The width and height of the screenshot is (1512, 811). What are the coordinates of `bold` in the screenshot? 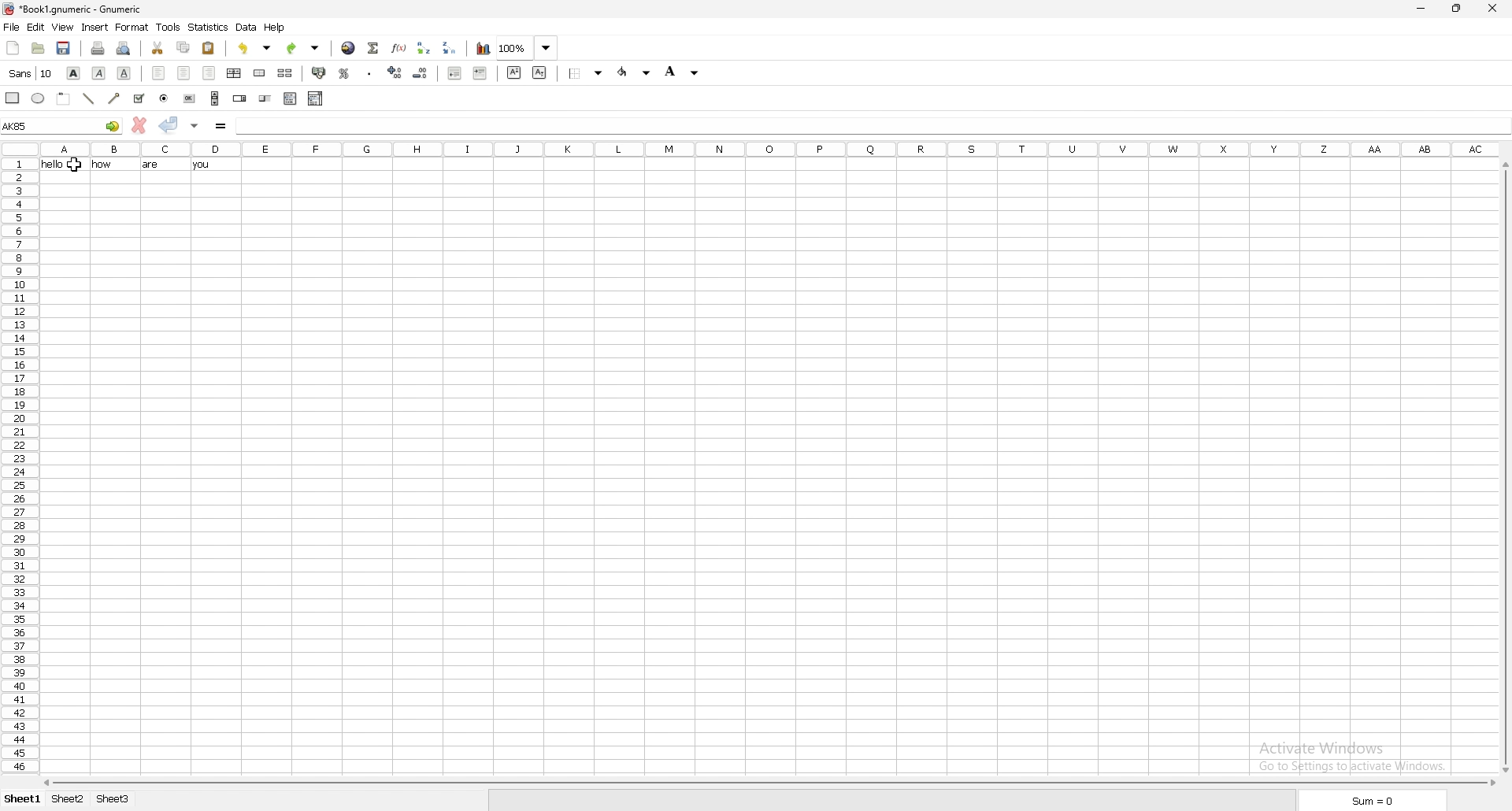 It's located at (73, 72).